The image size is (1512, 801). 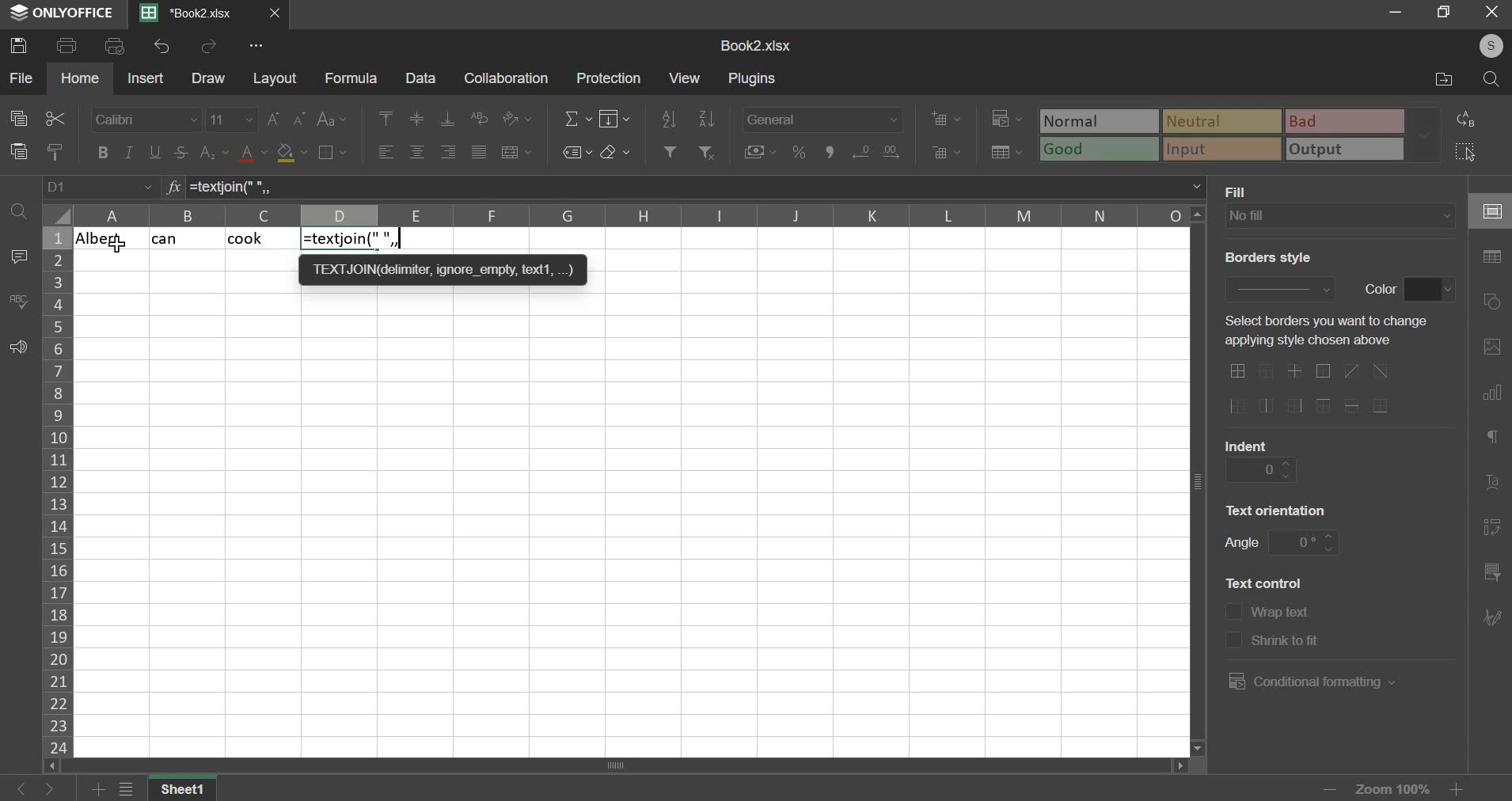 I want to click on formula, so click(x=351, y=79).